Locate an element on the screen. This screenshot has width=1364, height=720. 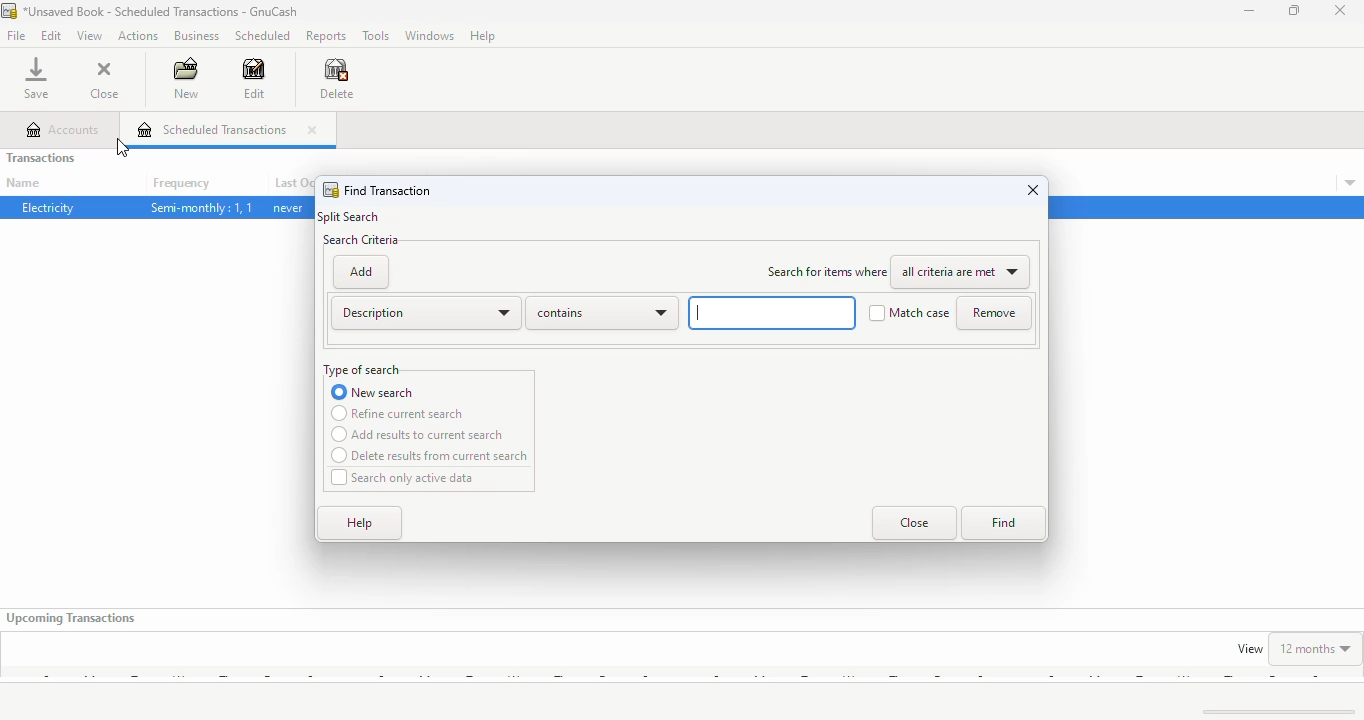
new search is located at coordinates (373, 392).